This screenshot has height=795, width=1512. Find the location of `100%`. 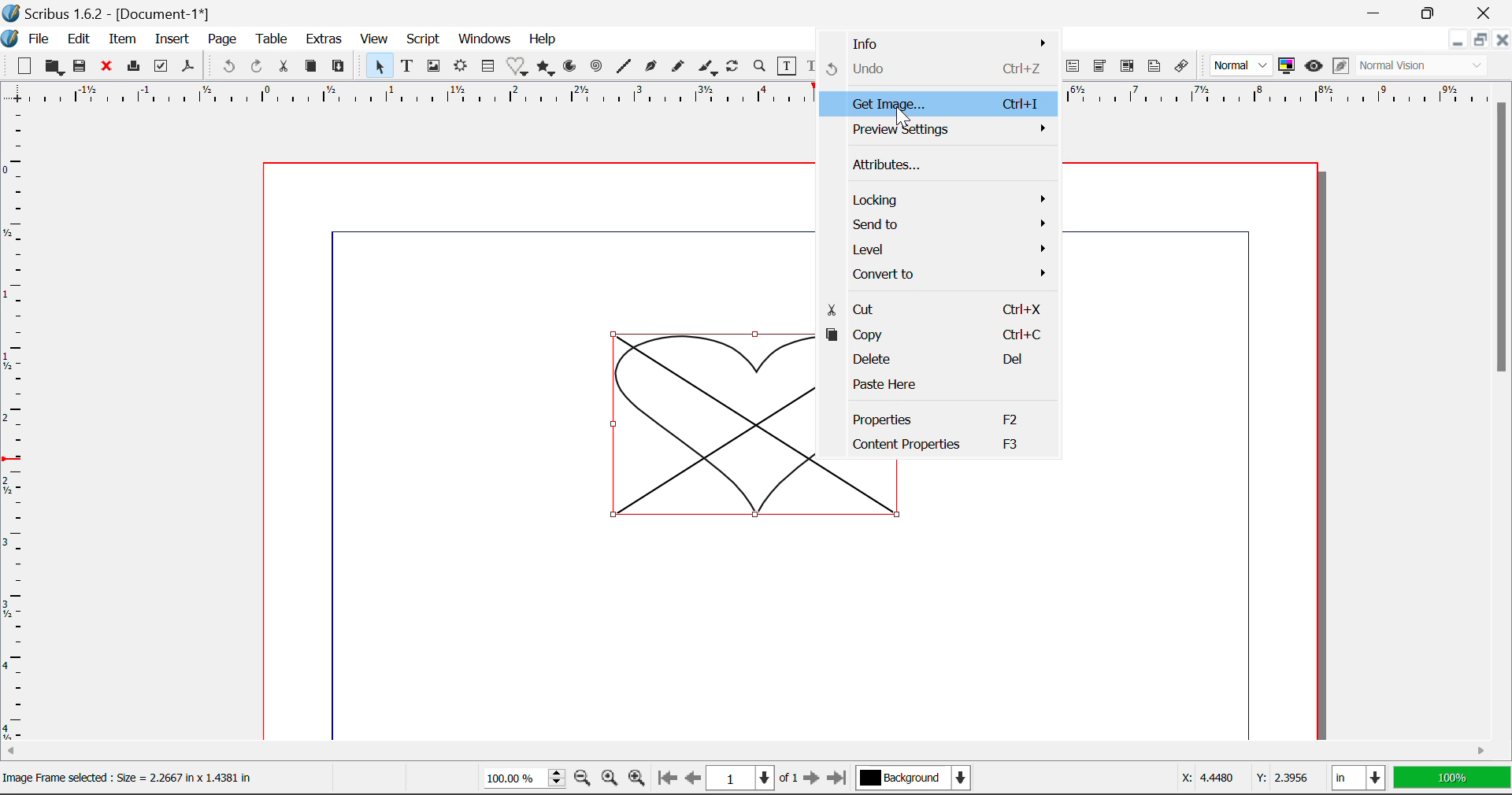

100% is located at coordinates (1451, 779).